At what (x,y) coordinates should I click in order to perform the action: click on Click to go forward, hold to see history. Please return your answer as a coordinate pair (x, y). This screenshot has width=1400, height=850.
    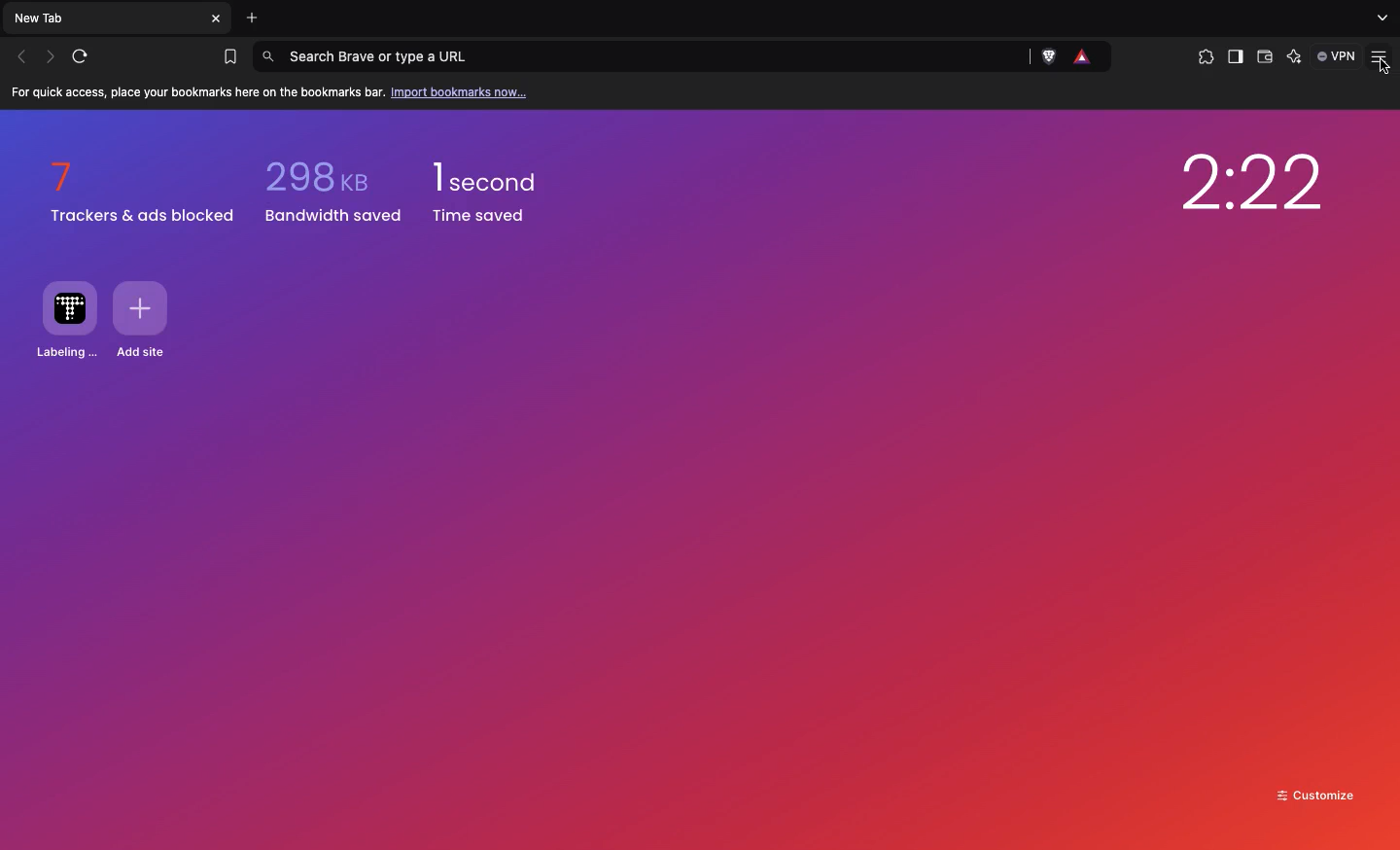
    Looking at the image, I should click on (51, 55).